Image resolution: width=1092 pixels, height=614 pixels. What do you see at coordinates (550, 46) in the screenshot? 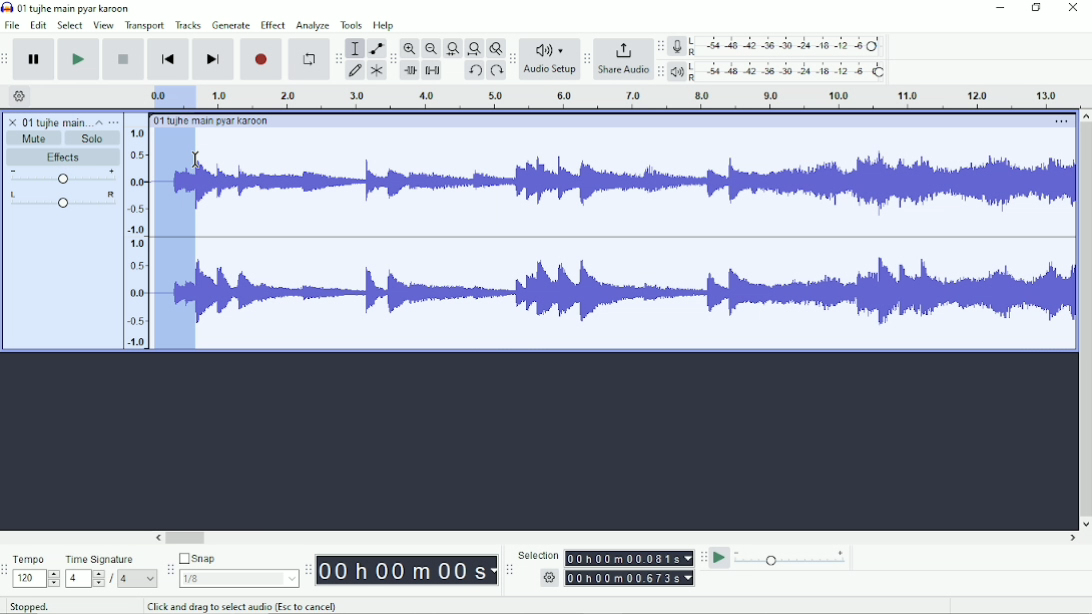
I see `Audio Logo` at bounding box center [550, 46].